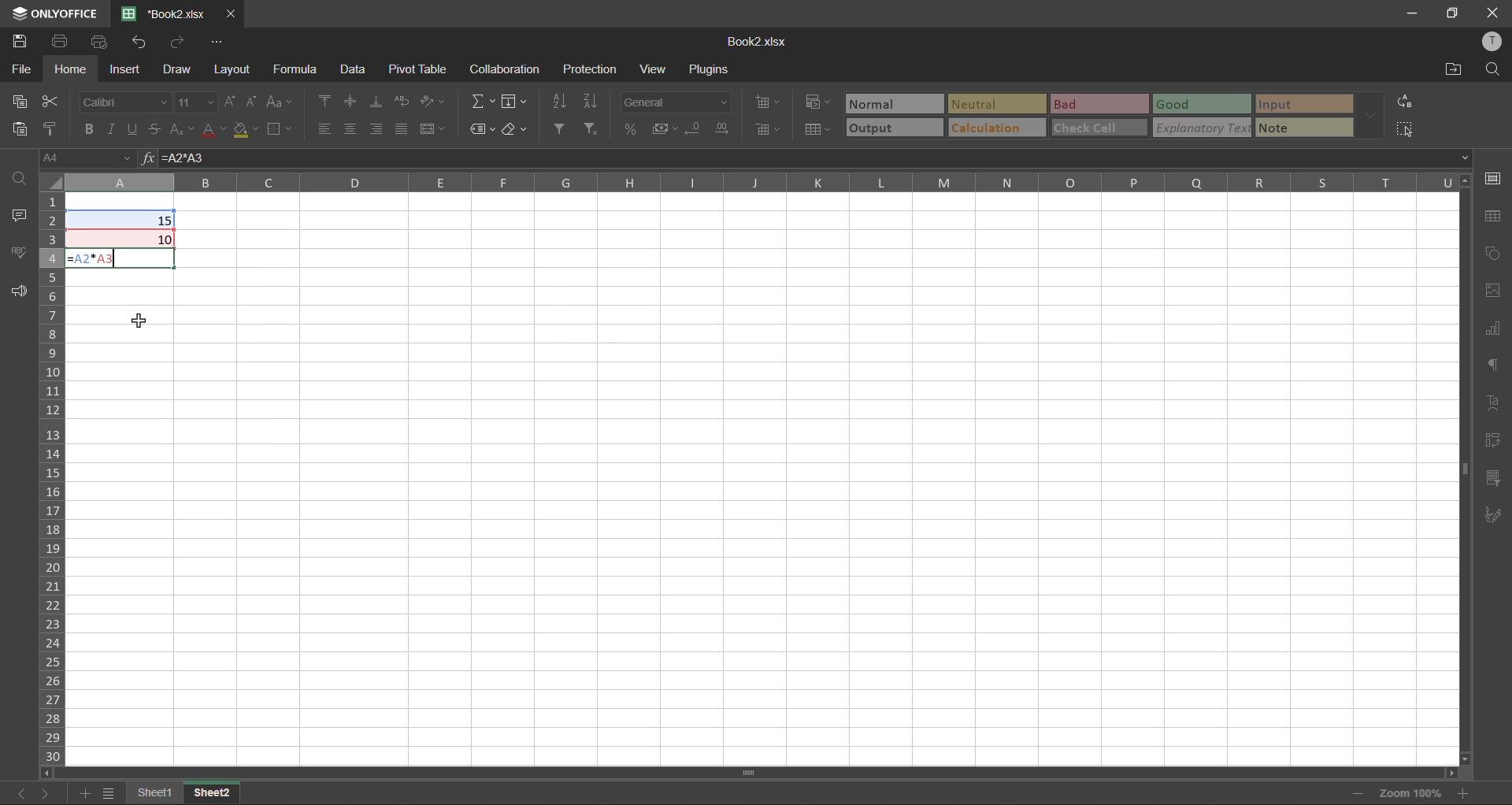  I want to click on font color, so click(213, 127).